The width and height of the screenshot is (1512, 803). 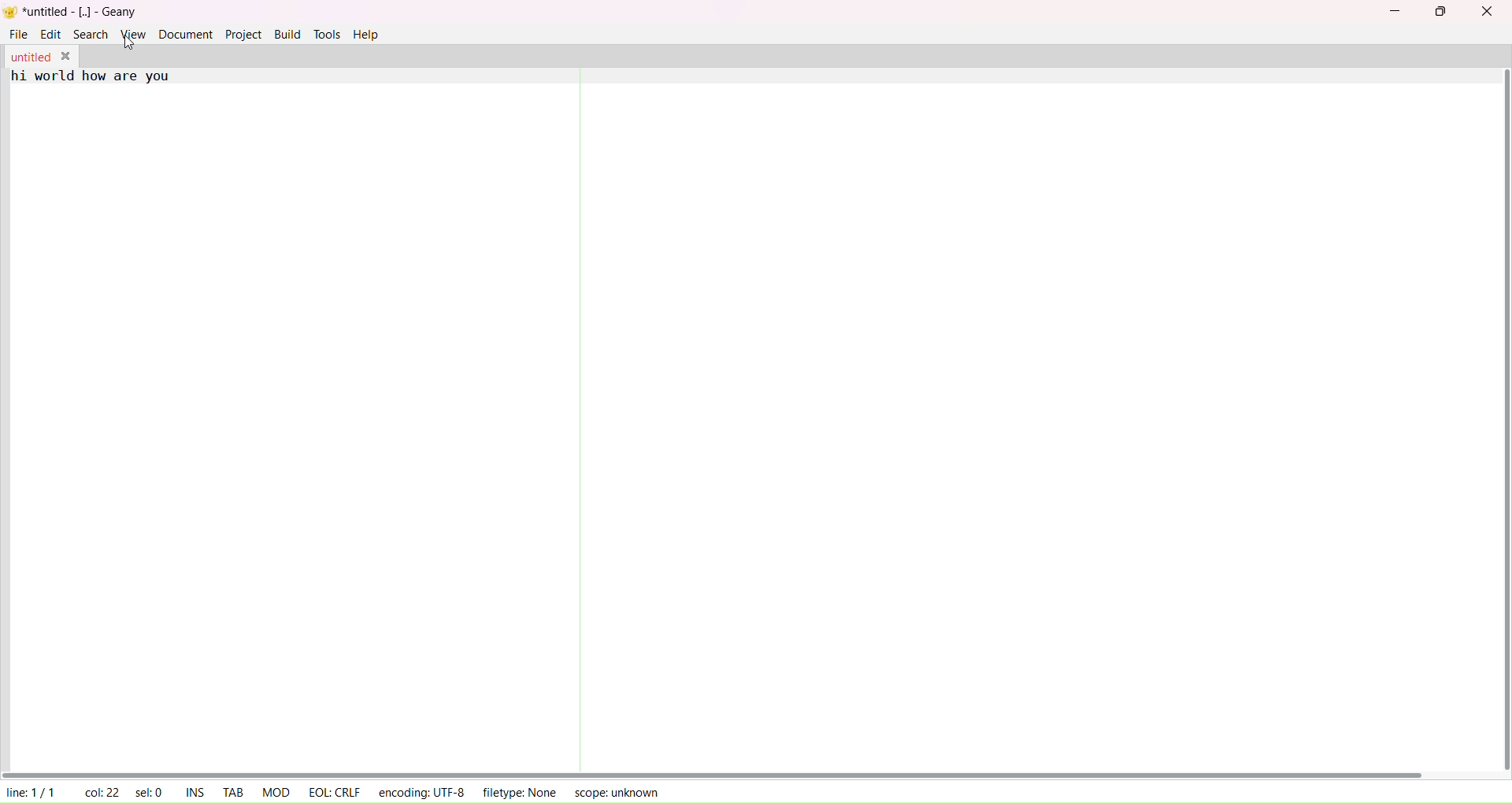 What do you see at coordinates (244, 34) in the screenshot?
I see `project` at bounding box center [244, 34].